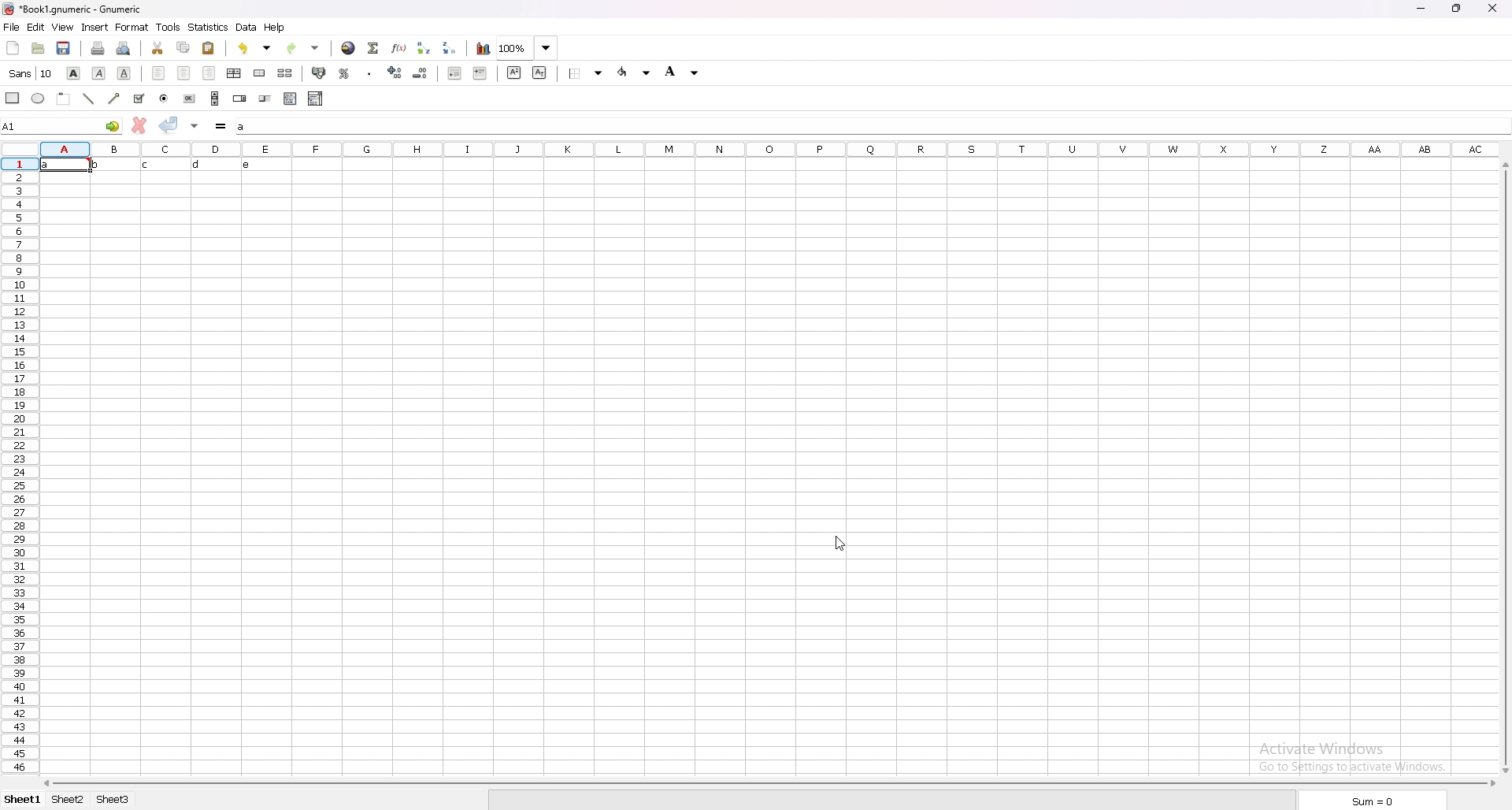 Image resolution: width=1512 pixels, height=810 pixels. I want to click on hyperlink, so click(349, 48).